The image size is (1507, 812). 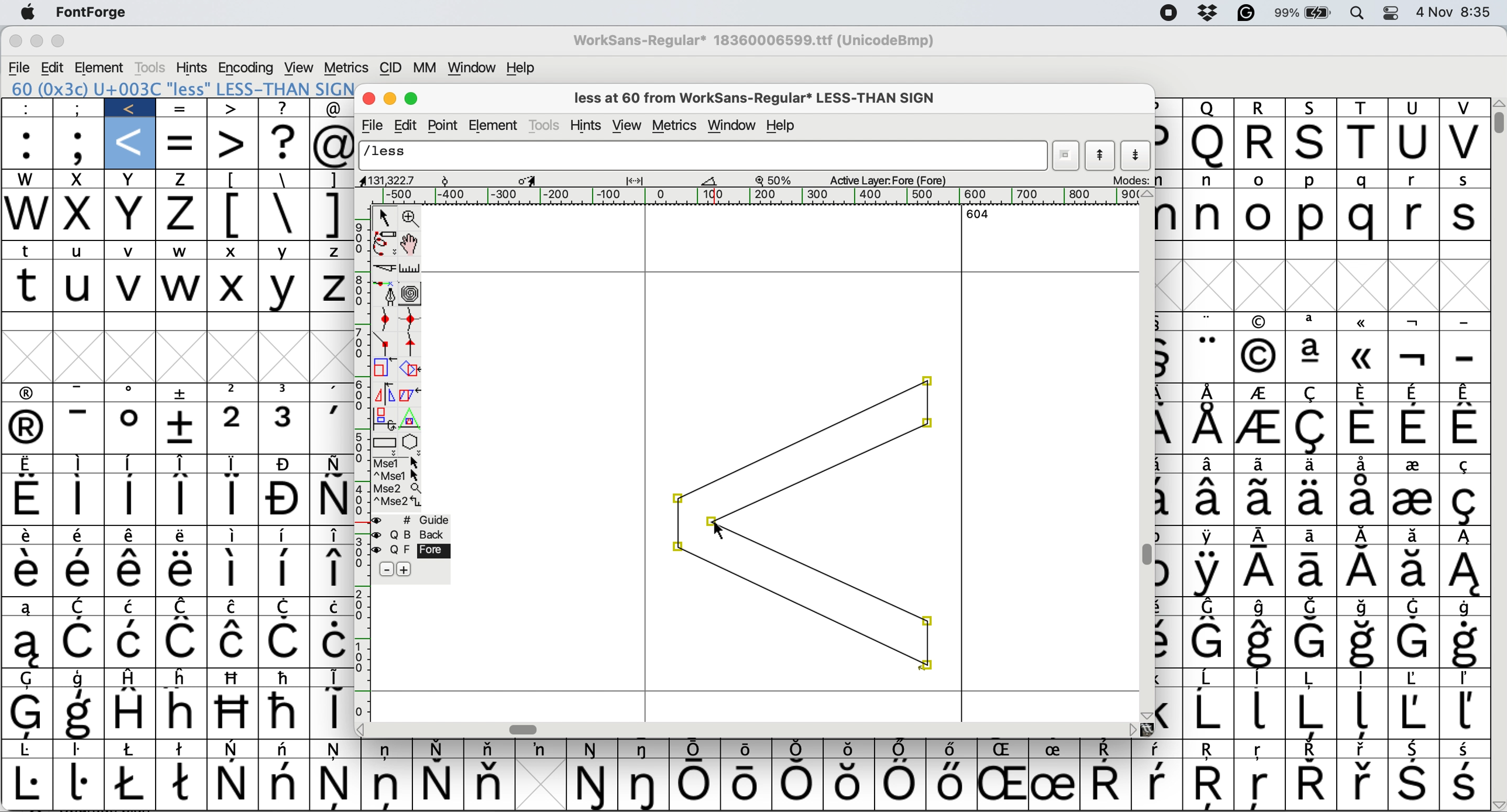 What do you see at coordinates (1412, 679) in the screenshot?
I see `Symbol` at bounding box center [1412, 679].